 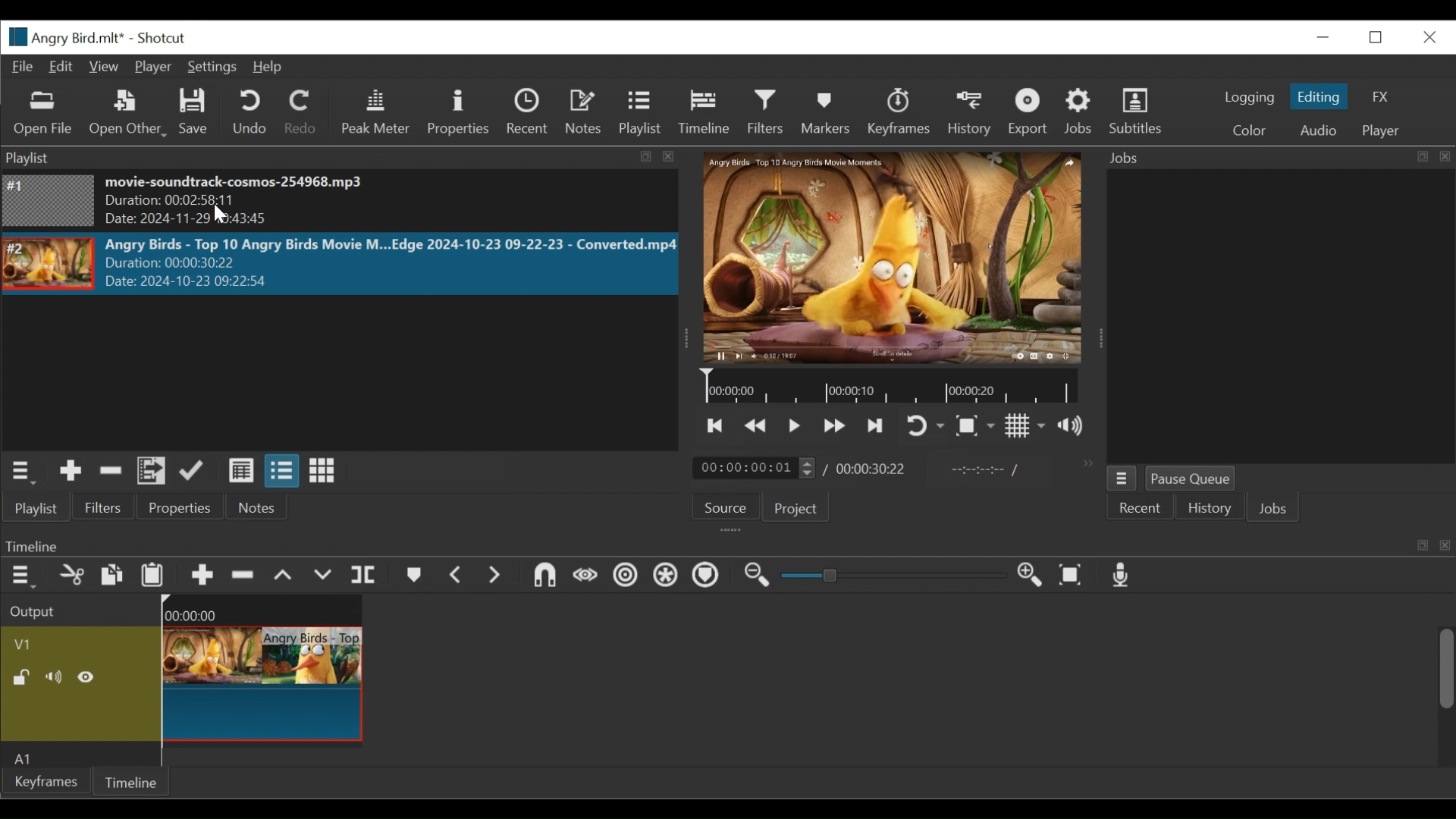 I want to click on Angry Birds - Top 10 Angry Birds Movie M...Edge 2024-10-23 09-22-23 - Converted.mp4Duration: 00:00:30:22 Date: 2024-10-23 09:22>5, so click(x=390, y=264).